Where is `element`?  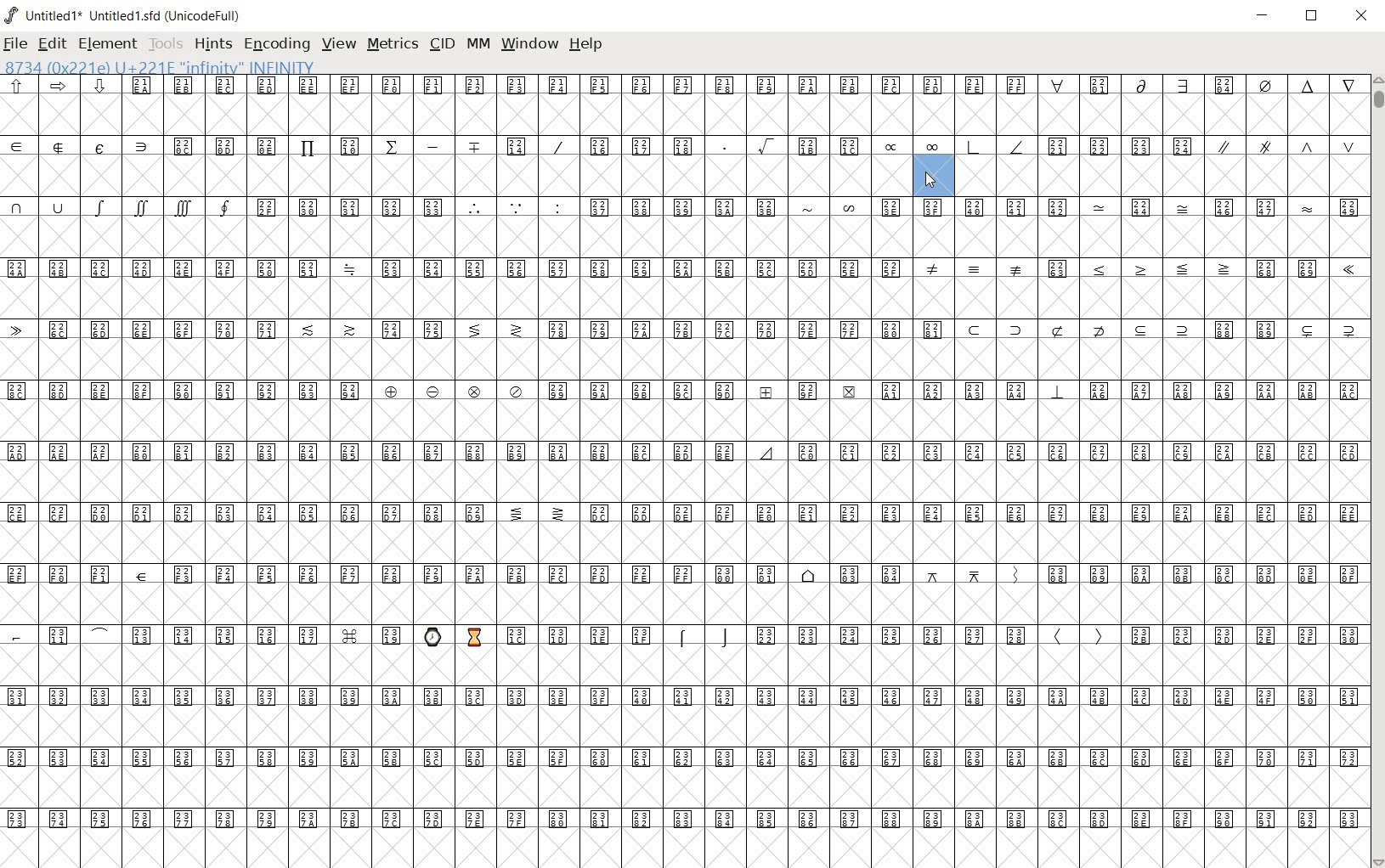
element is located at coordinates (109, 43).